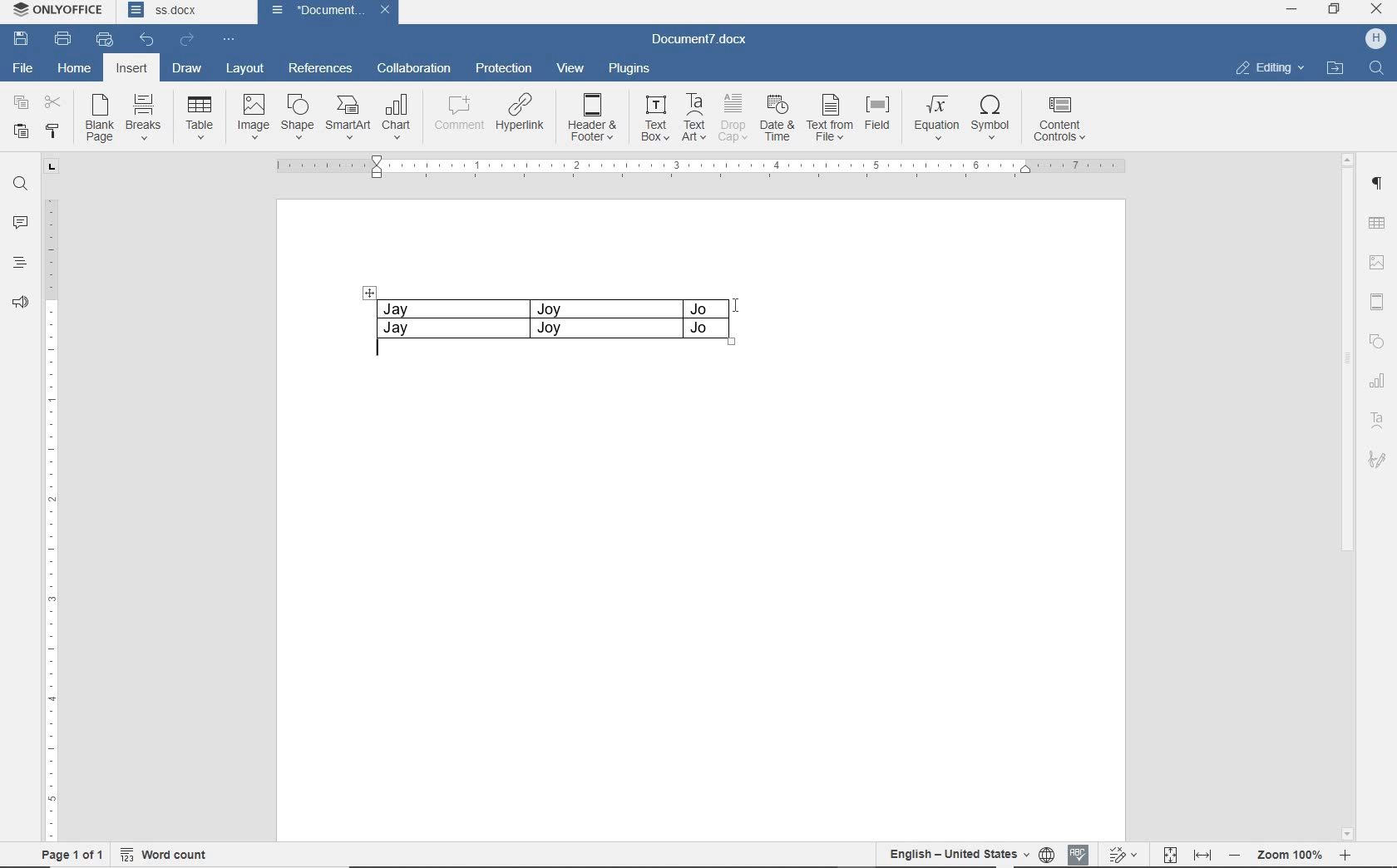 The width and height of the screenshot is (1397, 868). What do you see at coordinates (1292, 855) in the screenshot?
I see `ZOOM OUT OR ZOOM IN` at bounding box center [1292, 855].